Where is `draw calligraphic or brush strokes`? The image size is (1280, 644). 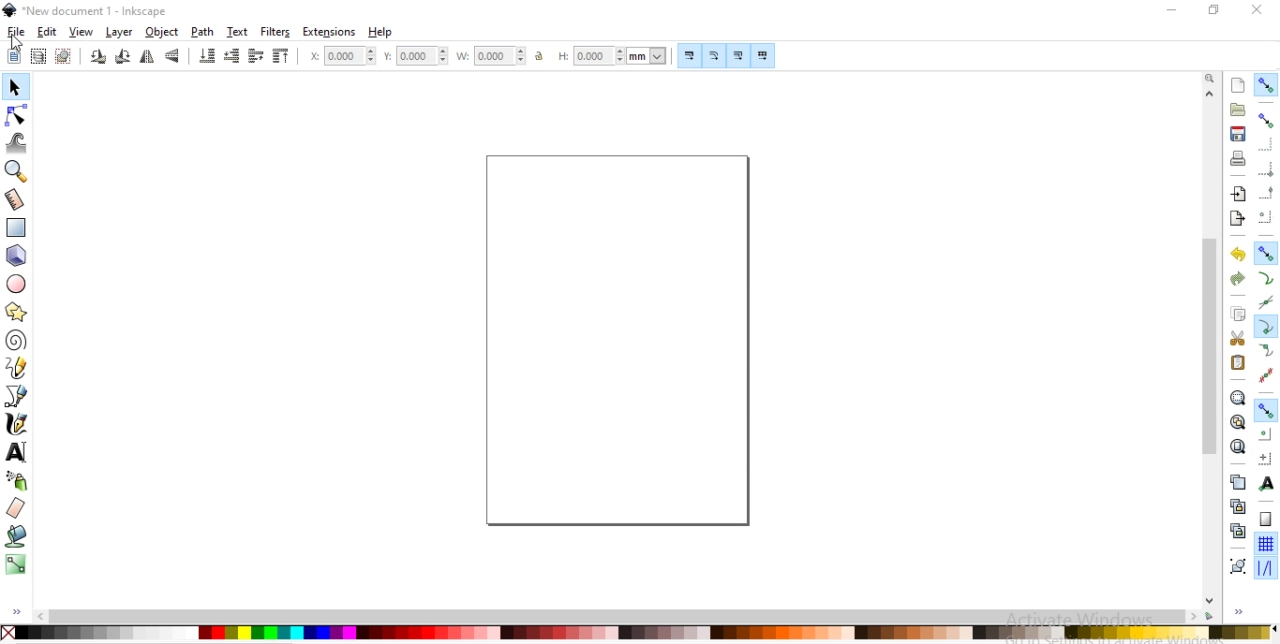 draw calligraphic or brush strokes is located at coordinates (19, 424).